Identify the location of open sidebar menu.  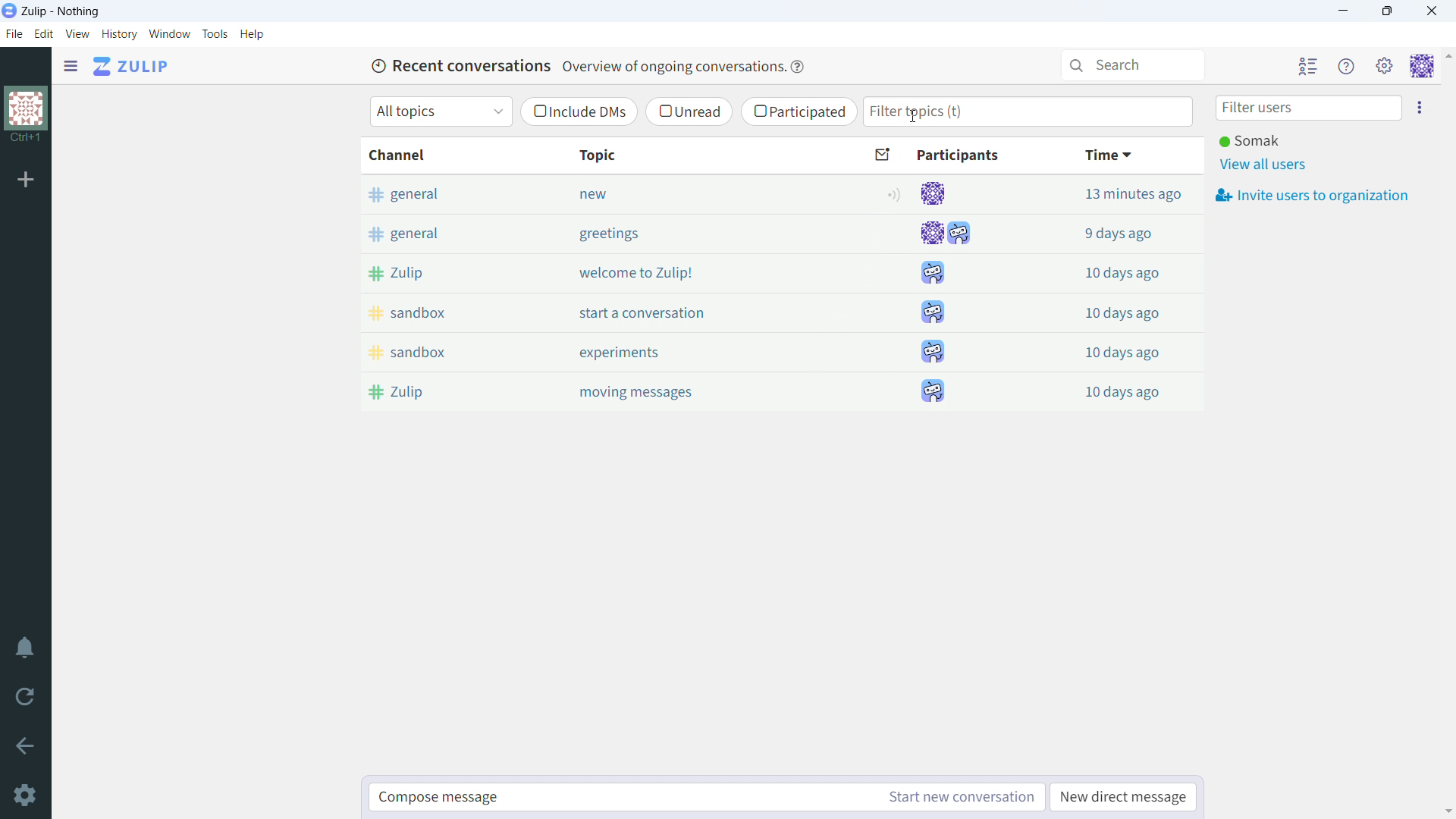
(71, 67).